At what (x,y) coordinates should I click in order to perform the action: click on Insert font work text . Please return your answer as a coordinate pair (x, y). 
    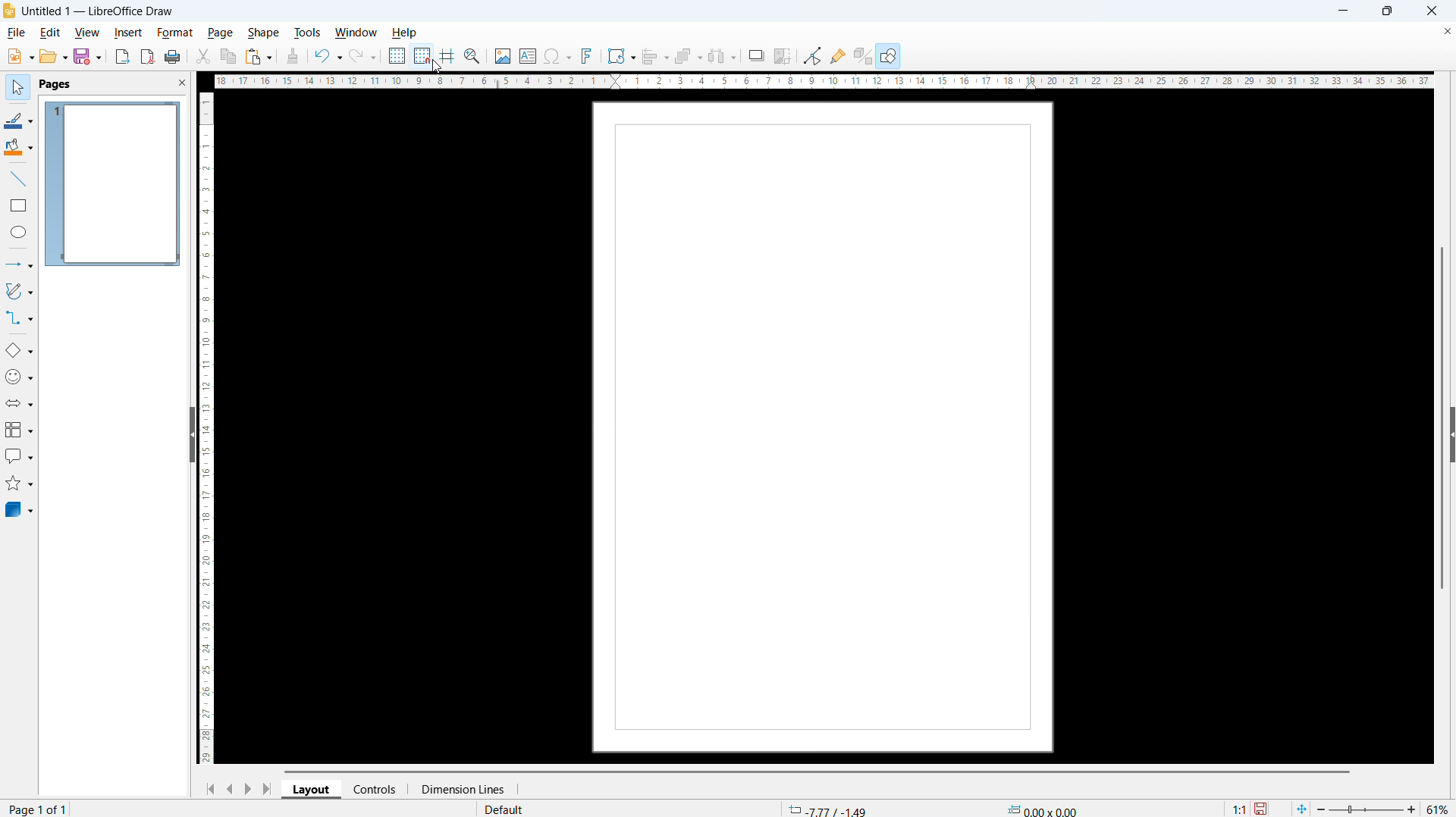
    Looking at the image, I should click on (588, 56).